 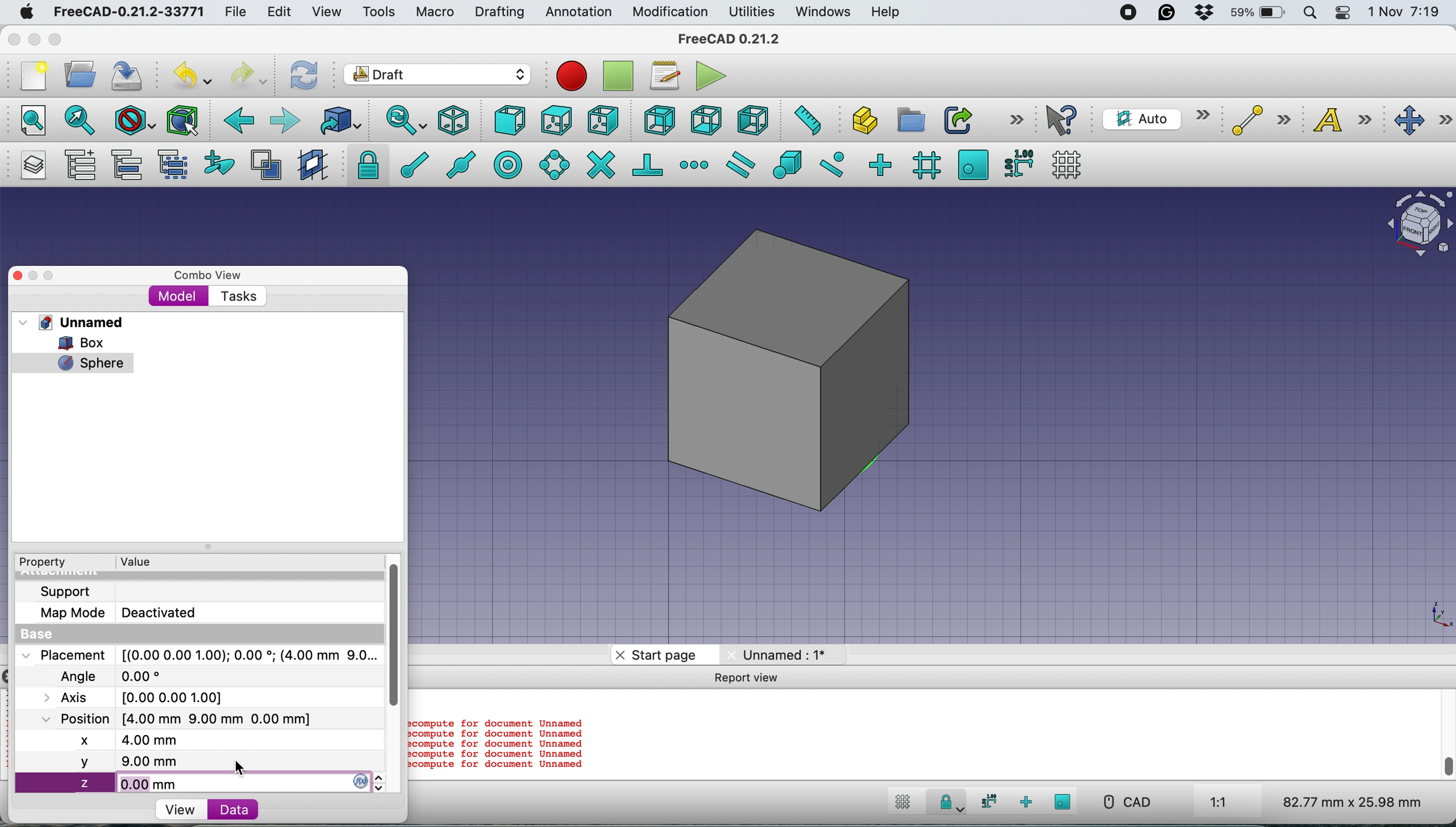 I want to click on measure distance, so click(x=804, y=119).